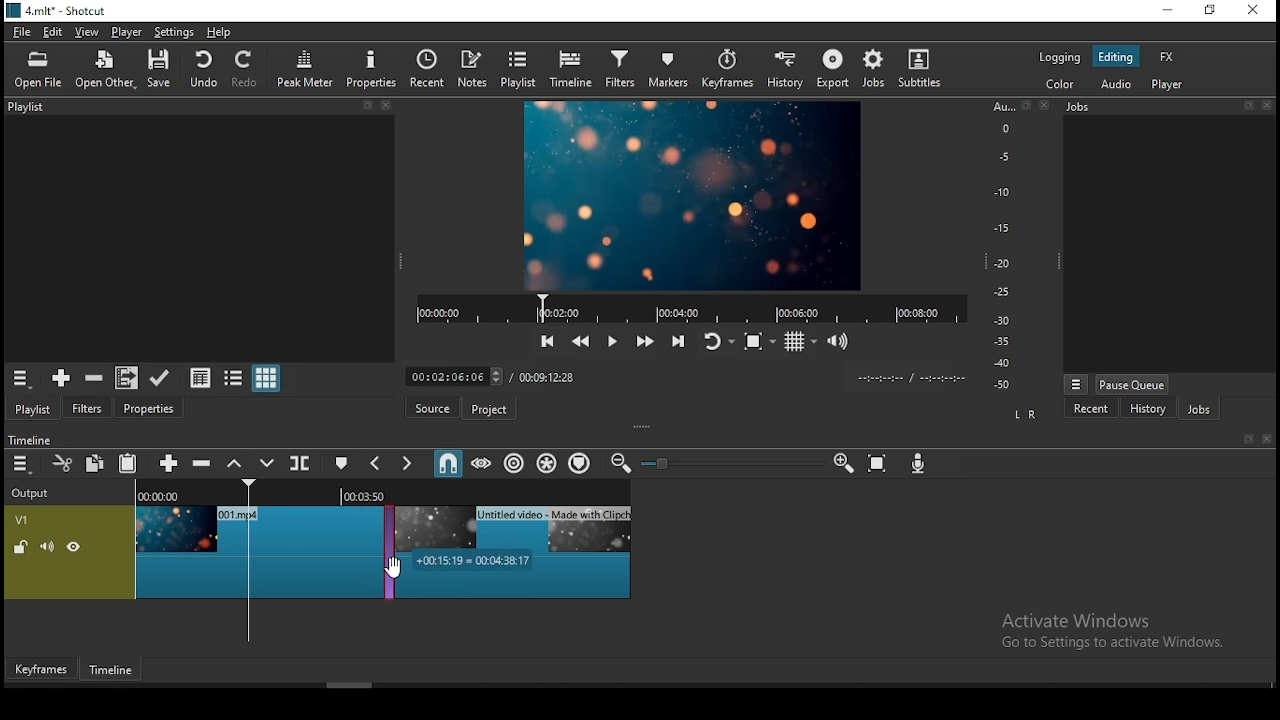 Image resolution: width=1280 pixels, height=720 pixels. Describe the element at coordinates (546, 340) in the screenshot. I see `skip to the previous point` at that location.